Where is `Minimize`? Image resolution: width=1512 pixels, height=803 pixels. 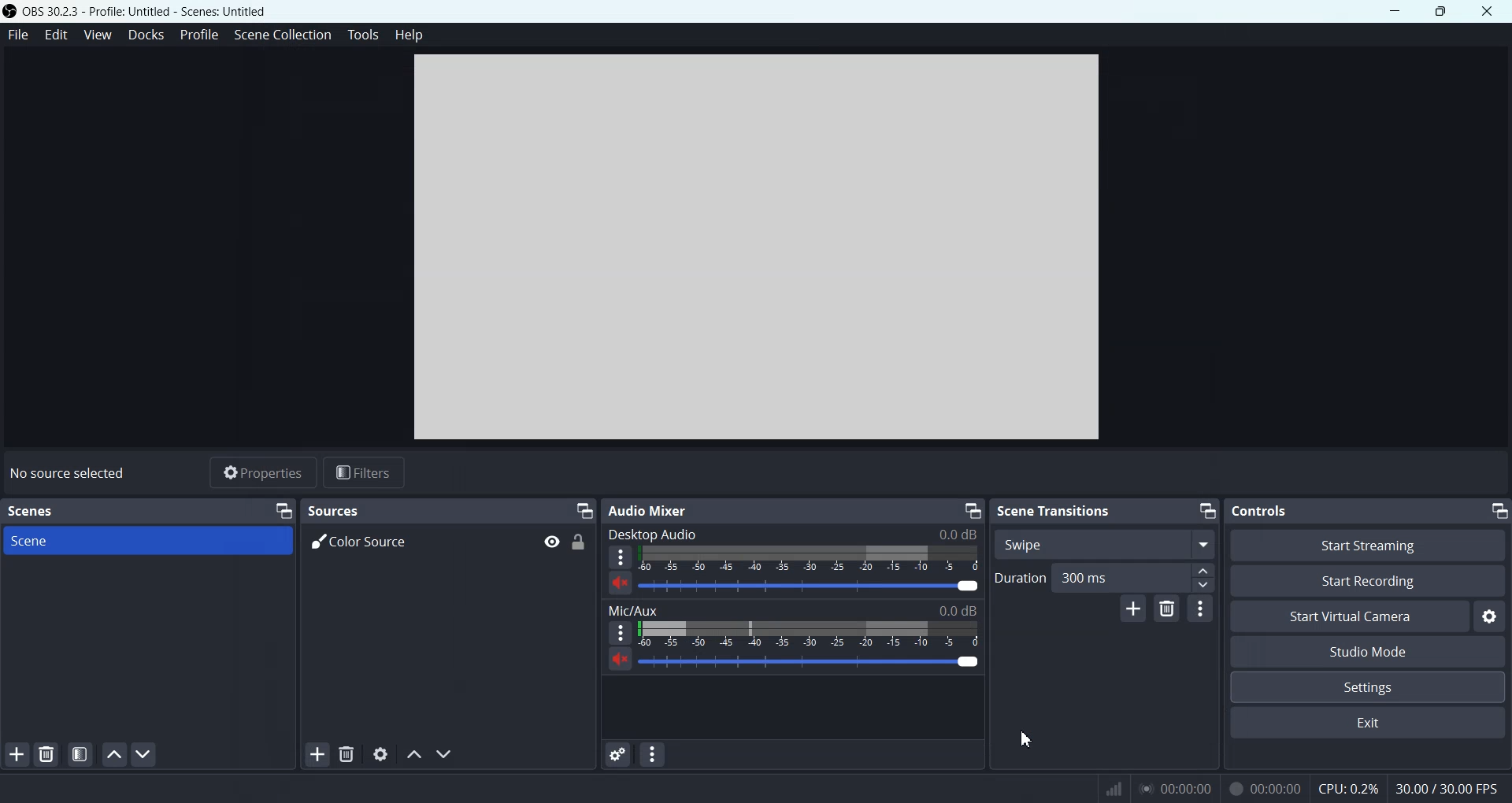 Minimize is located at coordinates (1206, 510).